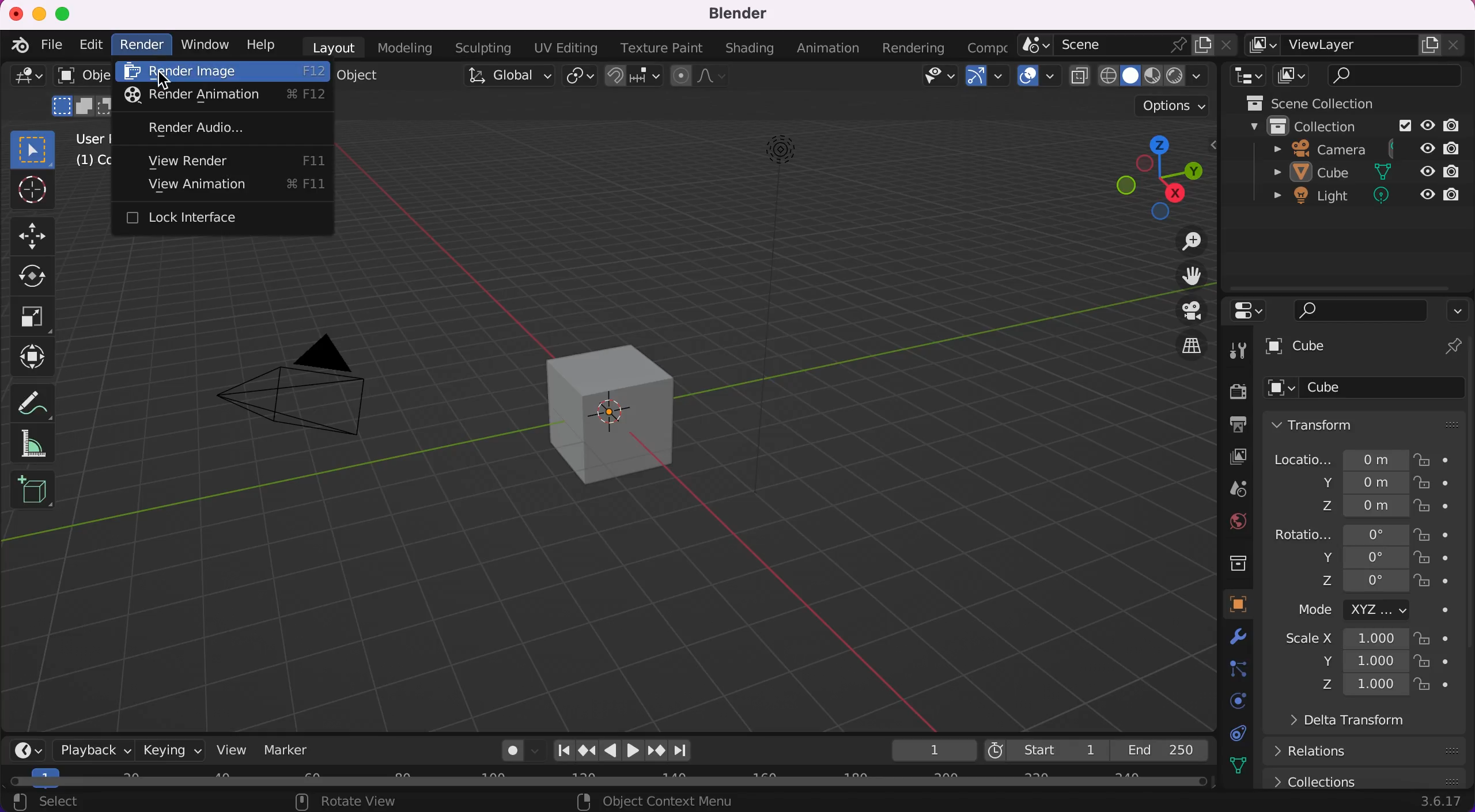 The width and height of the screenshot is (1475, 812). What do you see at coordinates (482, 47) in the screenshot?
I see `sculpting` at bounding box center [482, 47].